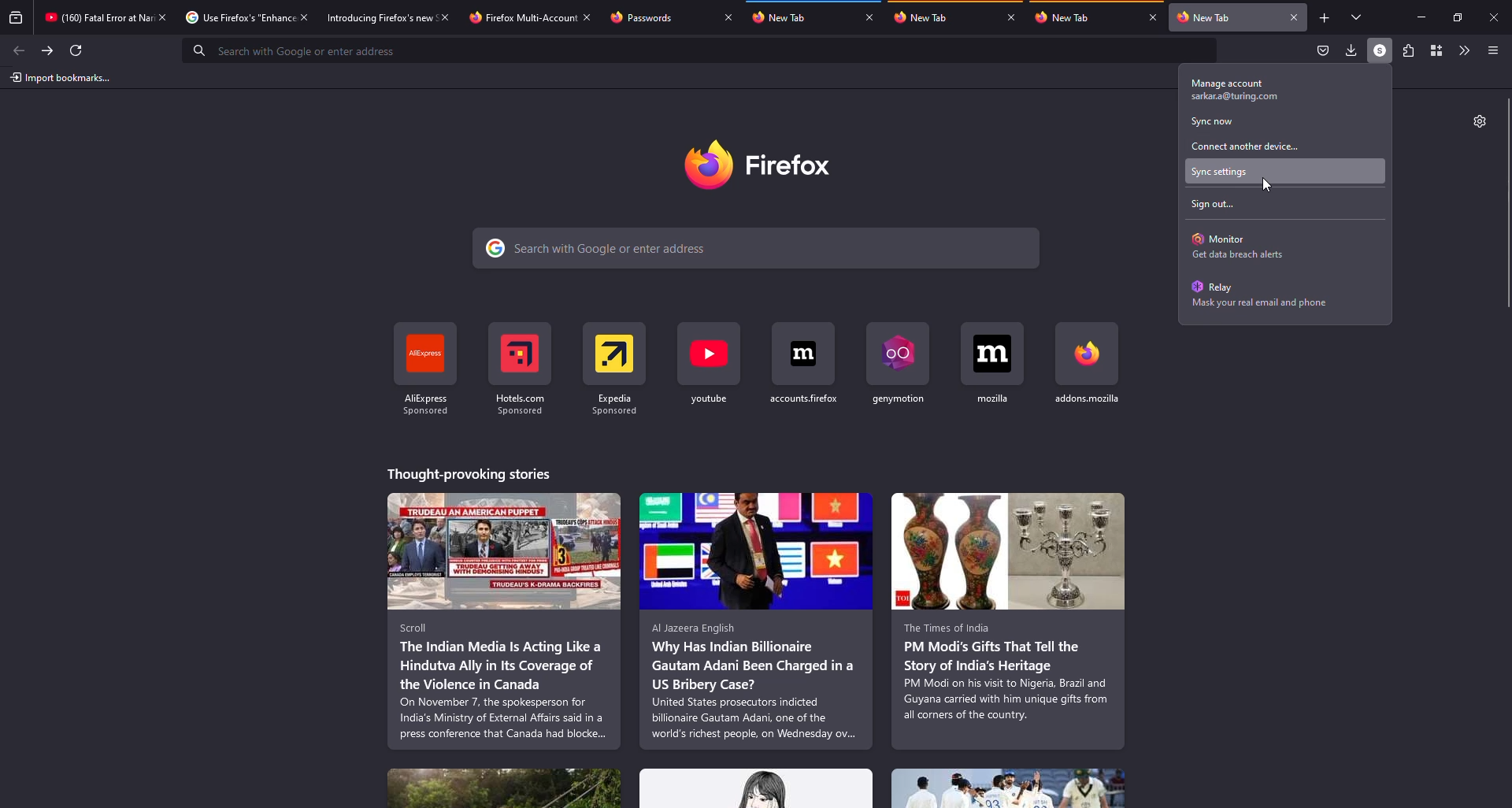 This screenshot has width=1512, height=808. I want to click on save to packet, so click(1320, 50).